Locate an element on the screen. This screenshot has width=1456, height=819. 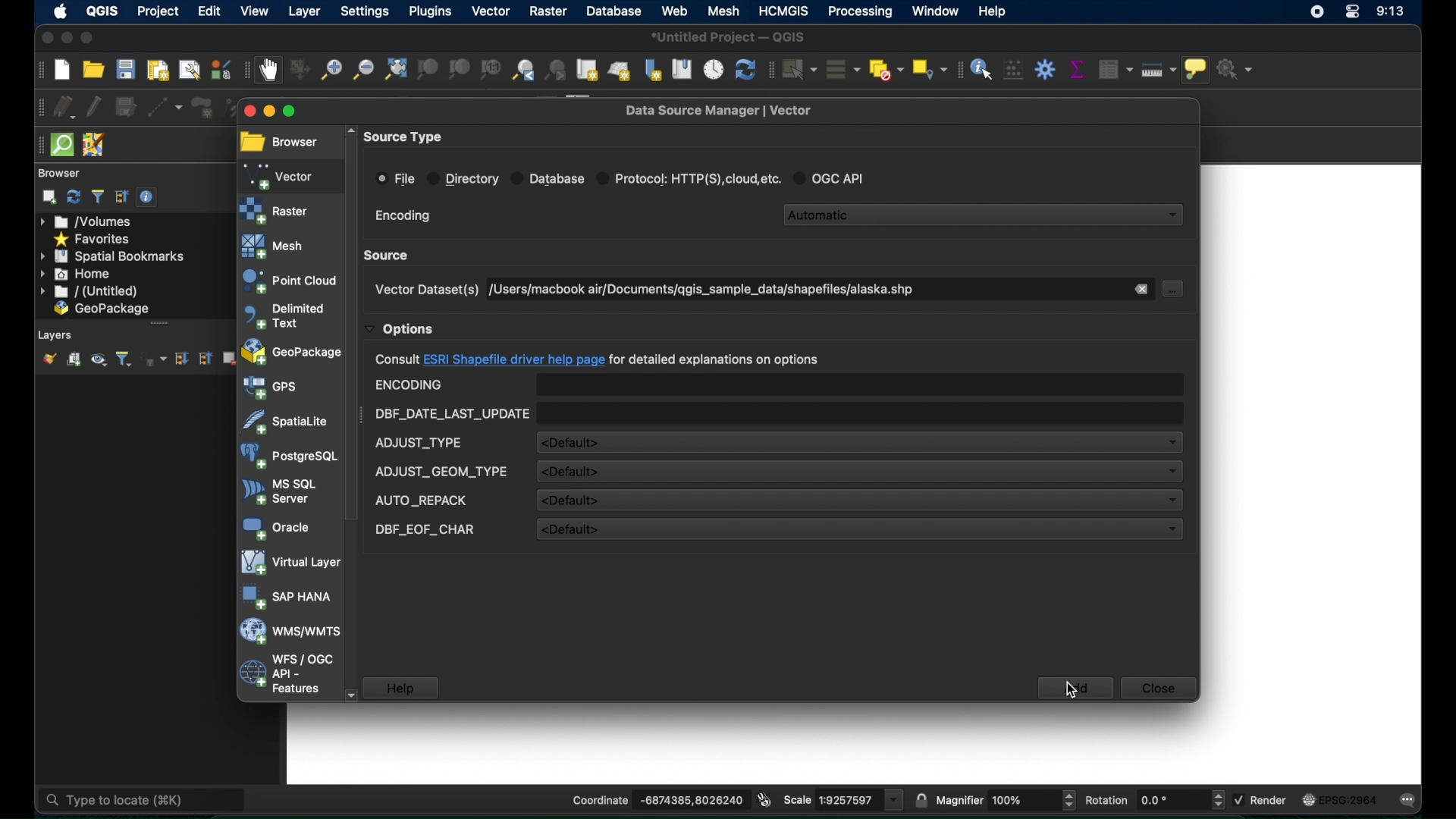
browser is located at coordinates (62, 173).